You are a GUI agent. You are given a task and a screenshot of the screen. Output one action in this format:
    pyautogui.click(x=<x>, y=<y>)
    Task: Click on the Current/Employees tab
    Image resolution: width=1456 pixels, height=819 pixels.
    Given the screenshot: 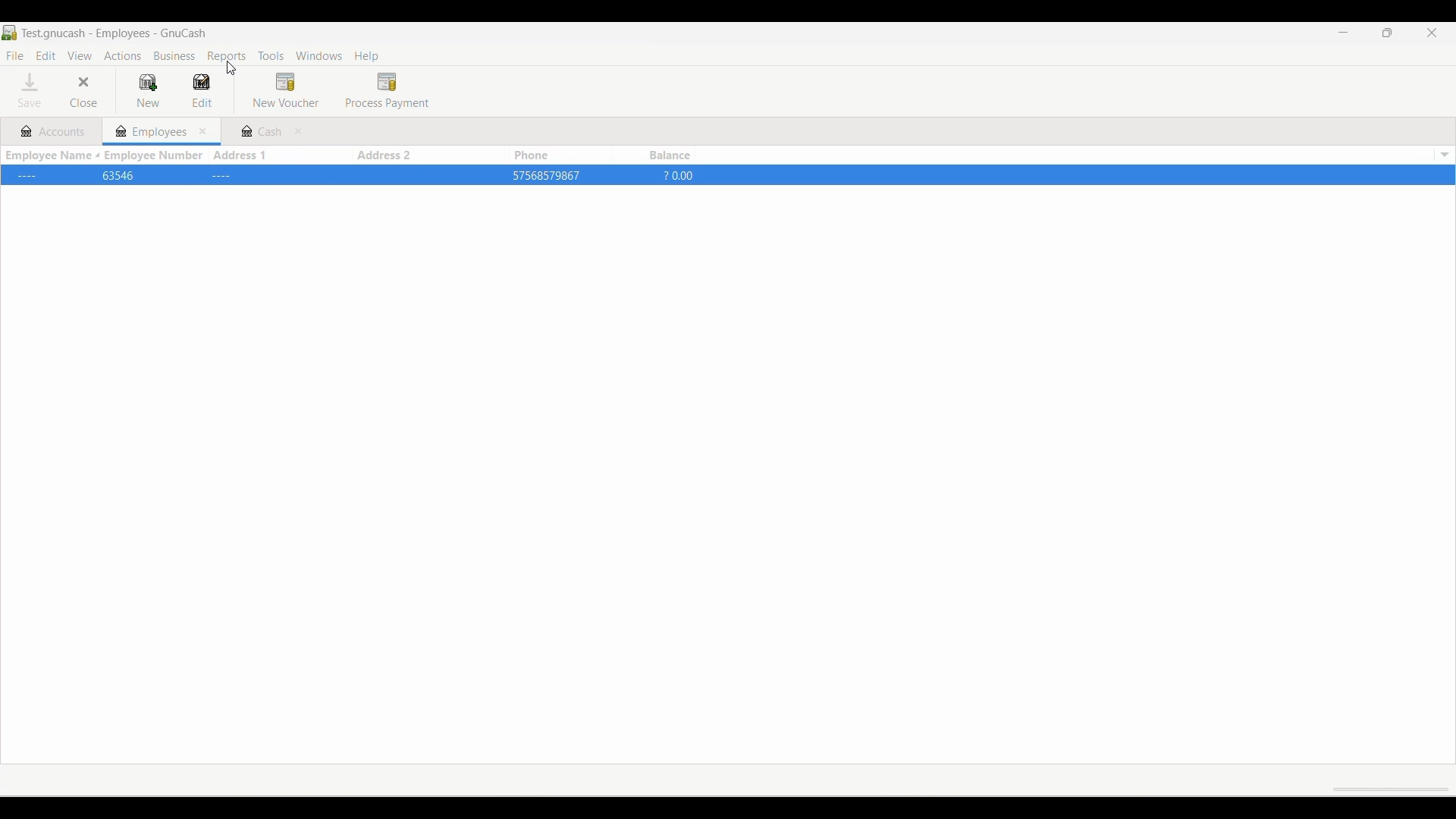 What is the action you would take?
    pyautogui.click(x=162, y=132)
    